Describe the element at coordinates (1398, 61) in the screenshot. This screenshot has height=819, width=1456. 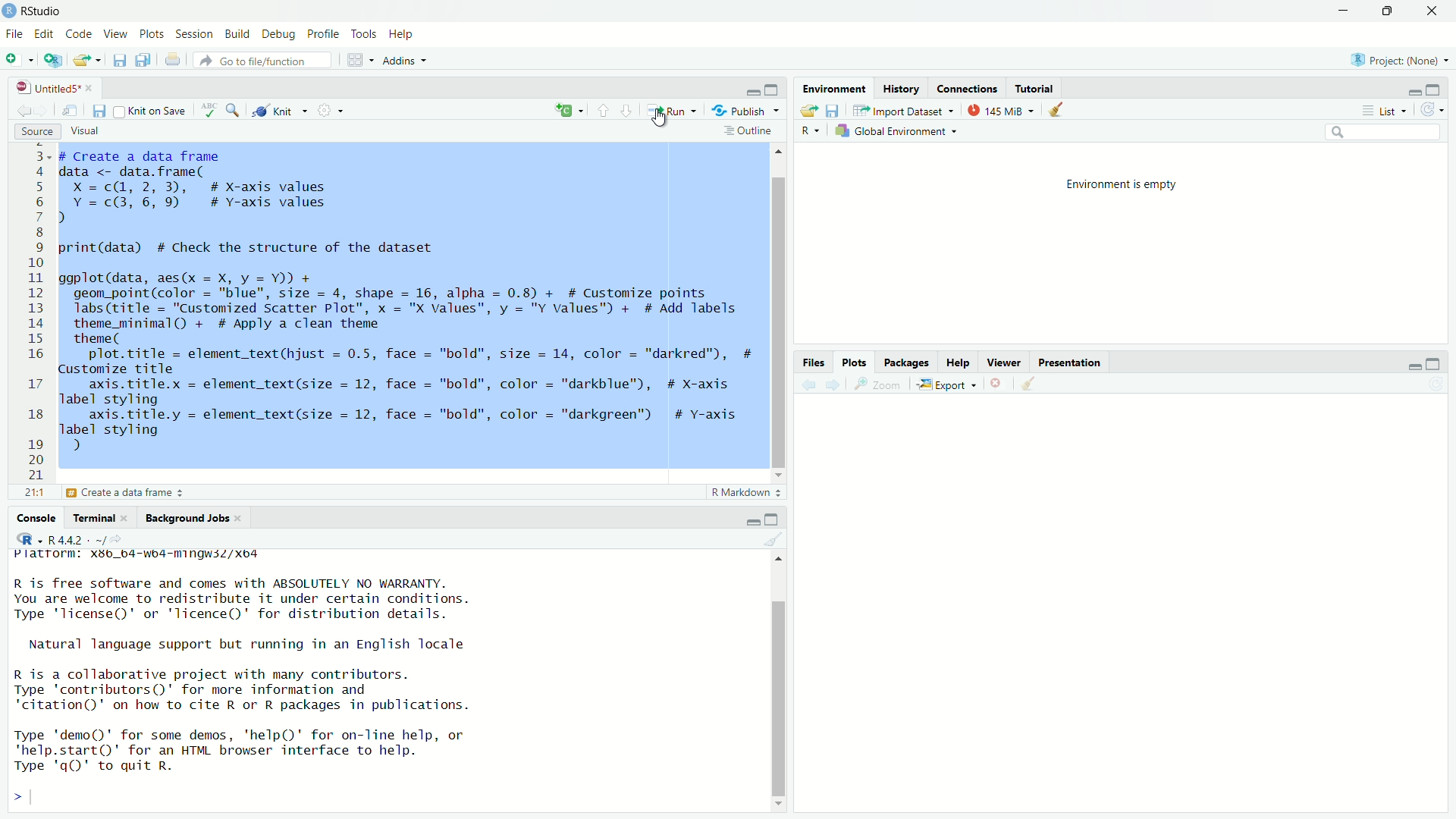
I see `Project (None)` at that location.